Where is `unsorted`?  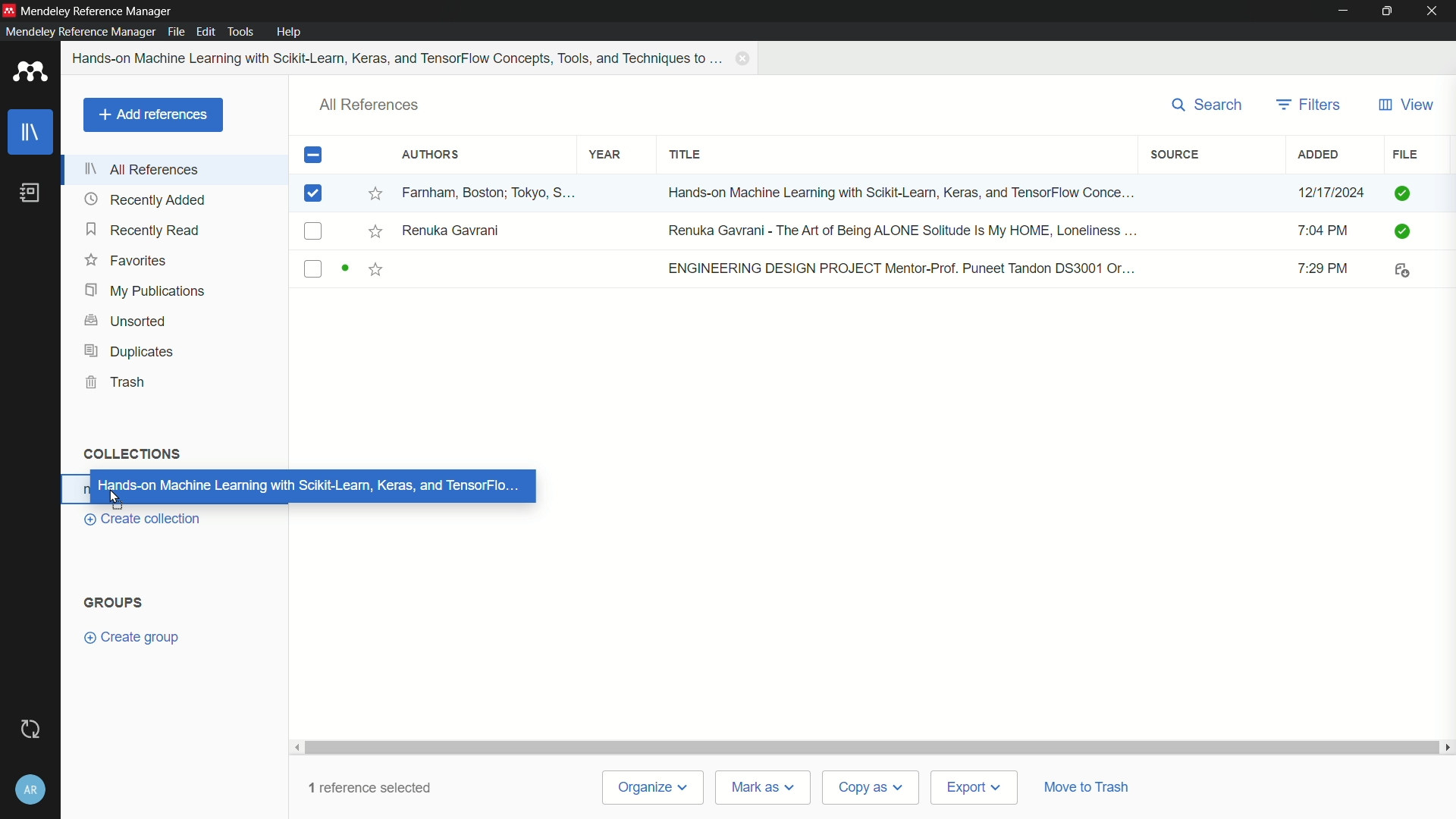 unsorted is located at coordinates (128, 319).